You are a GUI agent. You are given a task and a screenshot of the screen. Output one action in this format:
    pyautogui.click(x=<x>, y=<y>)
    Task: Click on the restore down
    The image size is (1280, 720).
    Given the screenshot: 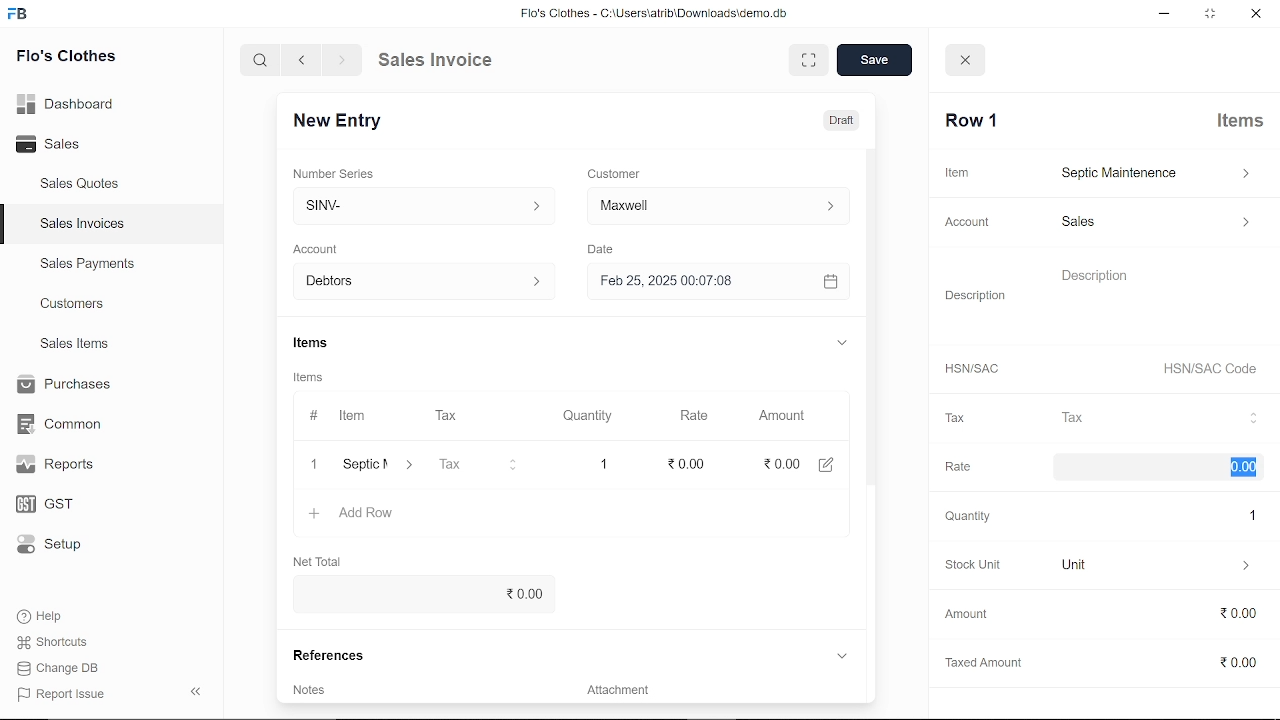 What is the action you would take?
    pyautogui.click(x=1207, y=13)
    